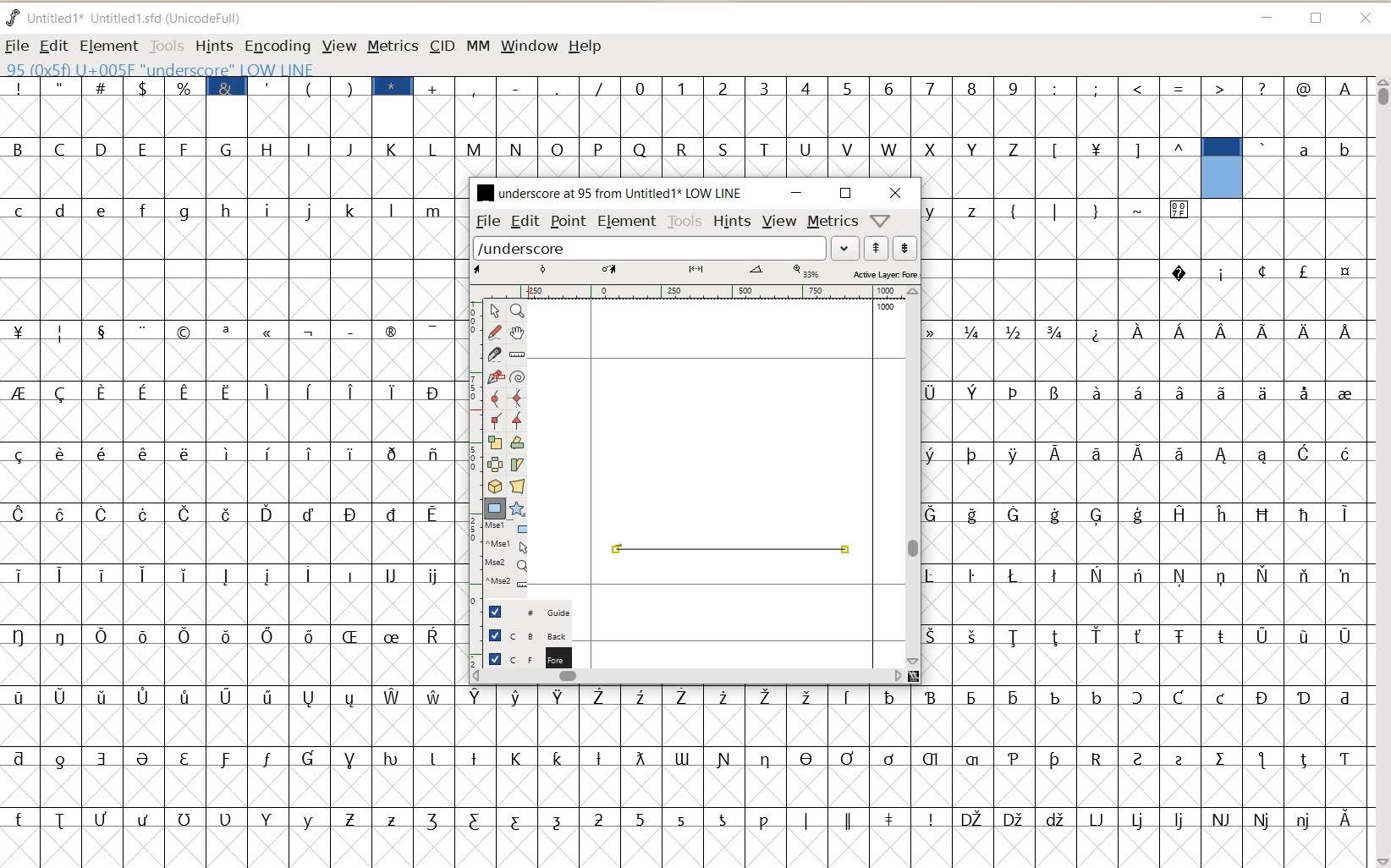 The height and width of the screenshot is (868, 1391). What do you see at coordinates (690, 292) in the screenshot?
I see `RULER` at bounding box center [690, 292].